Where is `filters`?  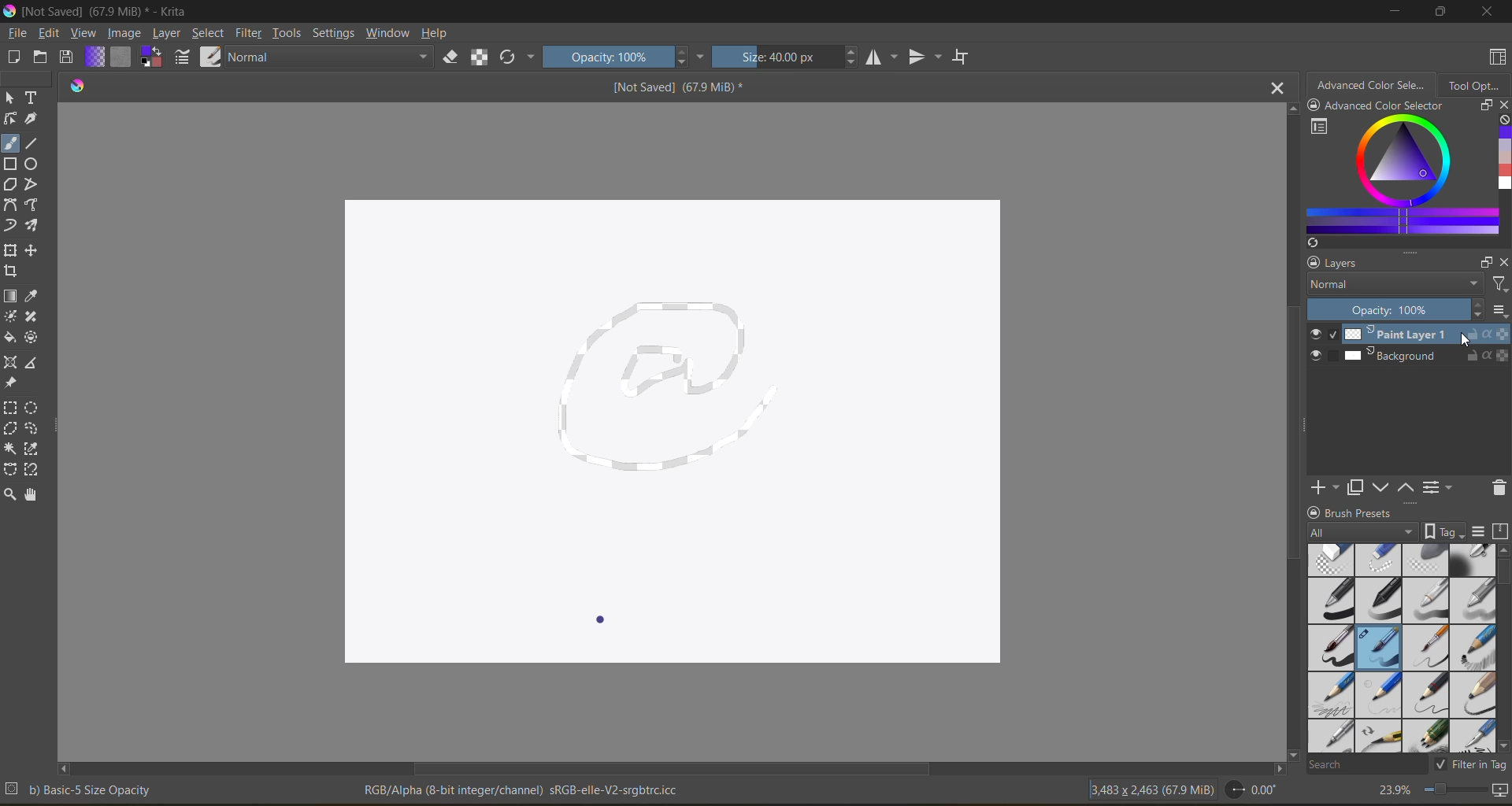
filters is located at coordinates (1501, 284).